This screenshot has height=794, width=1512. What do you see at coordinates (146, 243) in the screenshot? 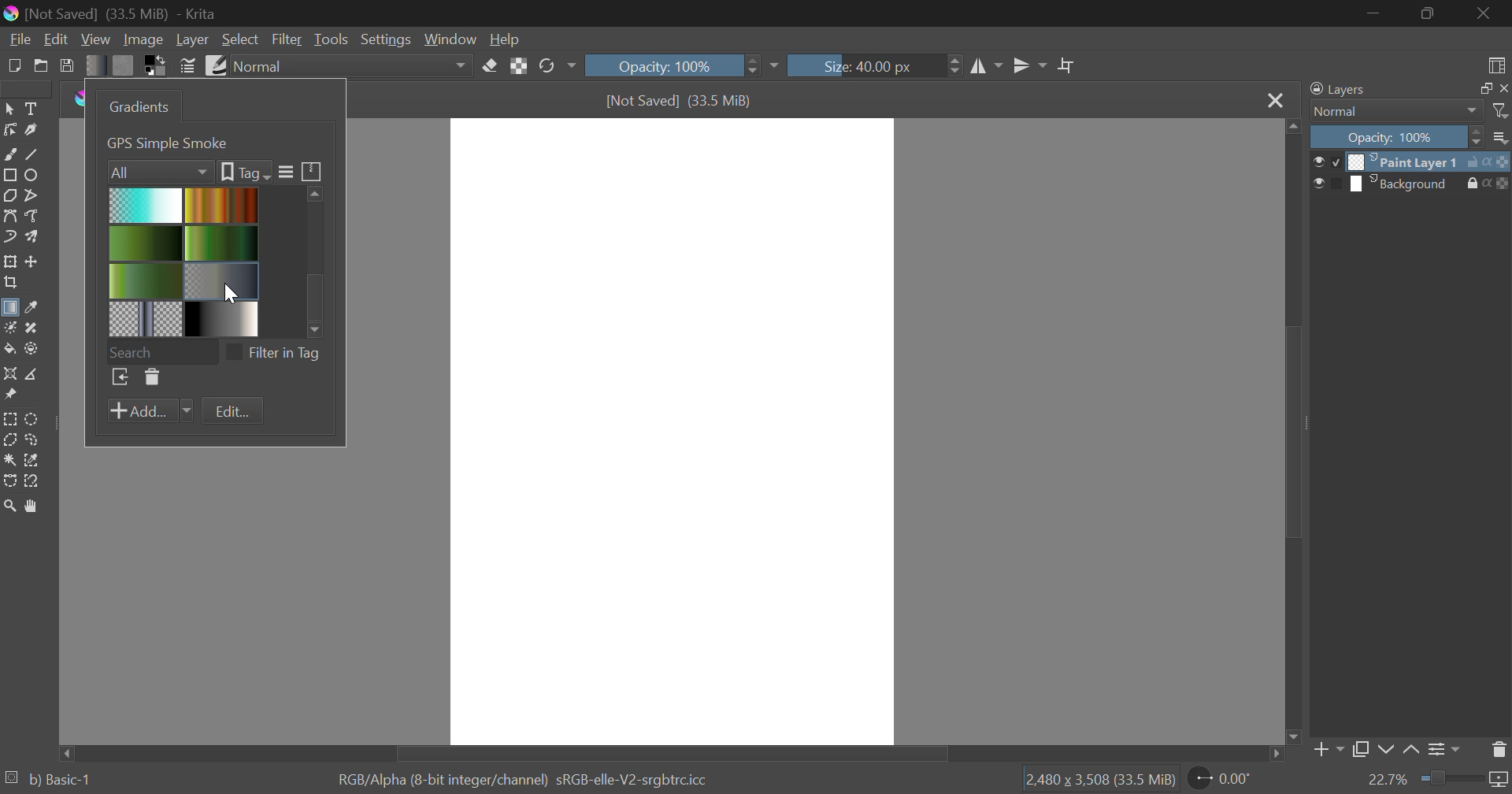
I see `Gradient 3` at bounding box center [146, 243].